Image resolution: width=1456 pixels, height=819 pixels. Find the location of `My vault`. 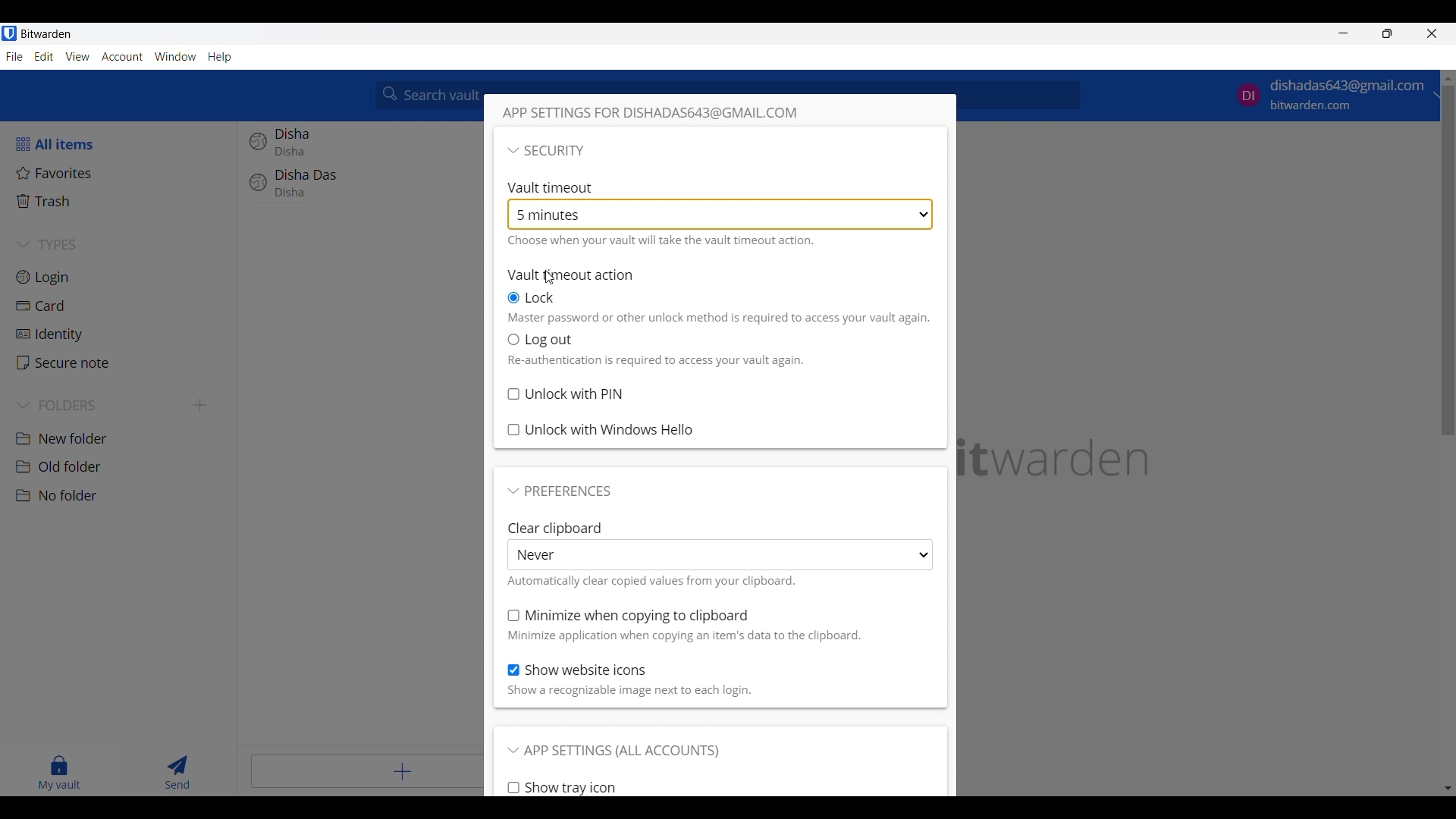

My vault is located at coordinates (60, 773).